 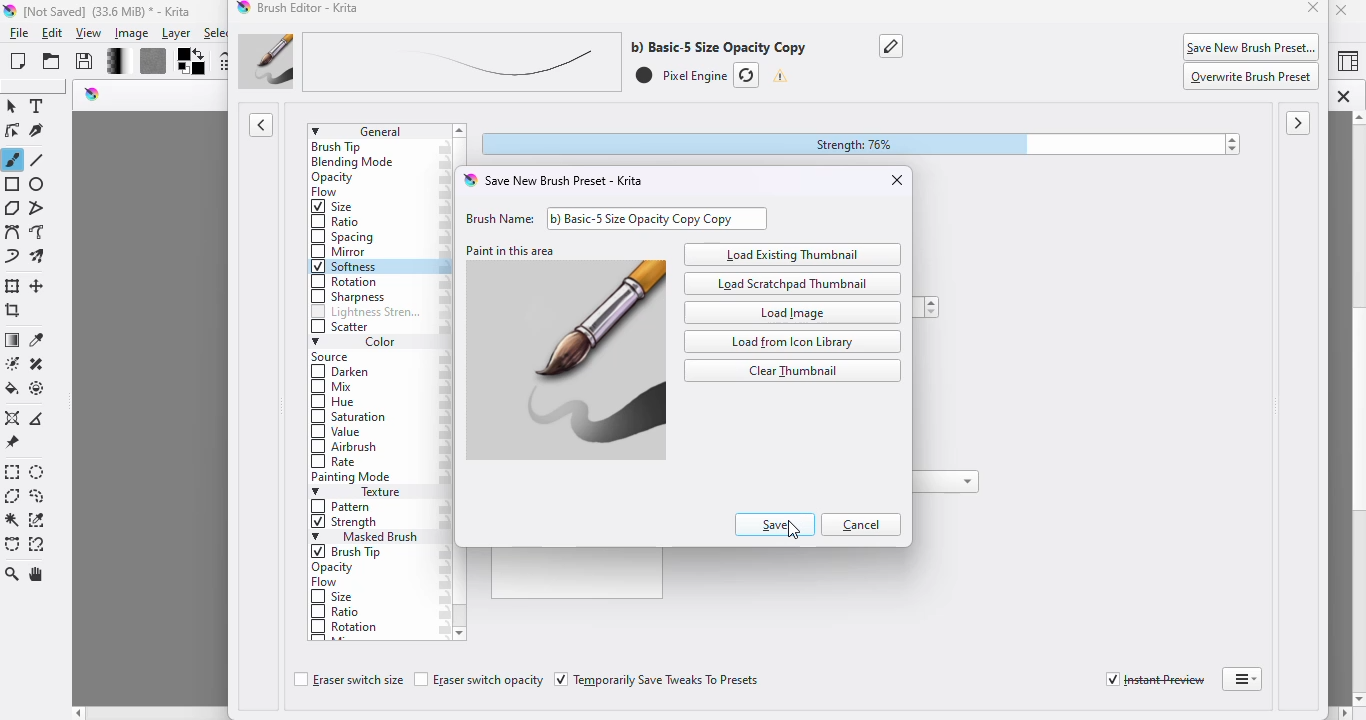 What do you see at coordinates (13, 521) in the screenshot?
I see `contiguous selection tool` at bounding box center [13, 521].